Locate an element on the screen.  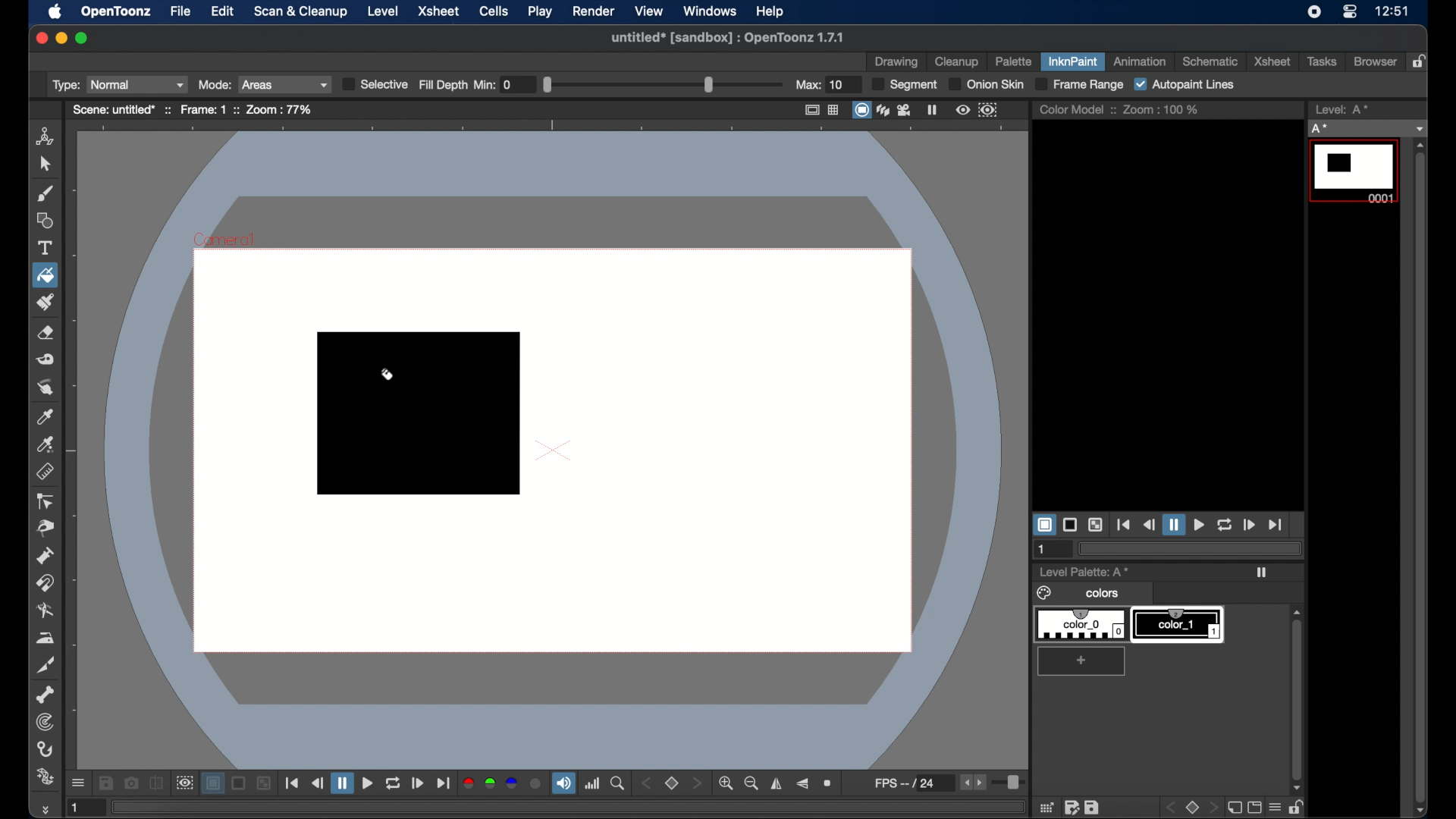
jump to end is located at coordinates (443, 783).